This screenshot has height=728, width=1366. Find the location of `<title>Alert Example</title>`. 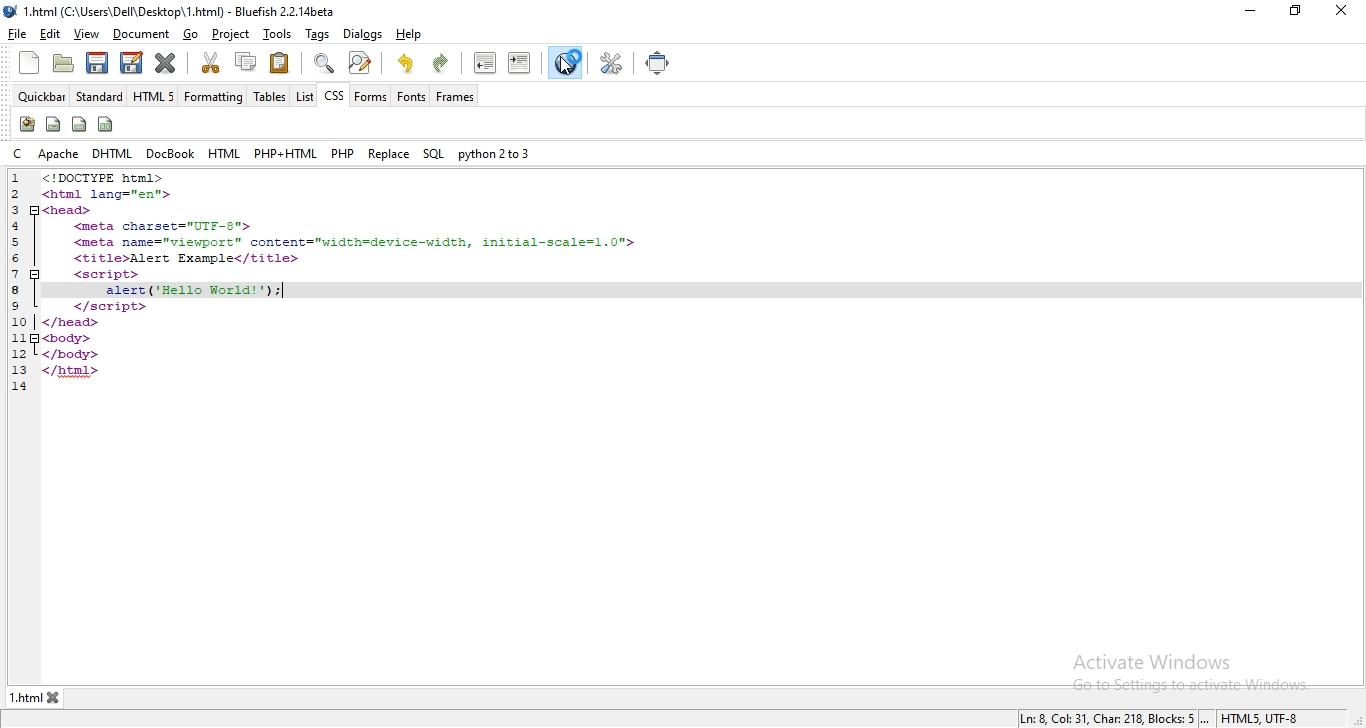

<title>Alert Example</title> is located at coordinates (186, 258).